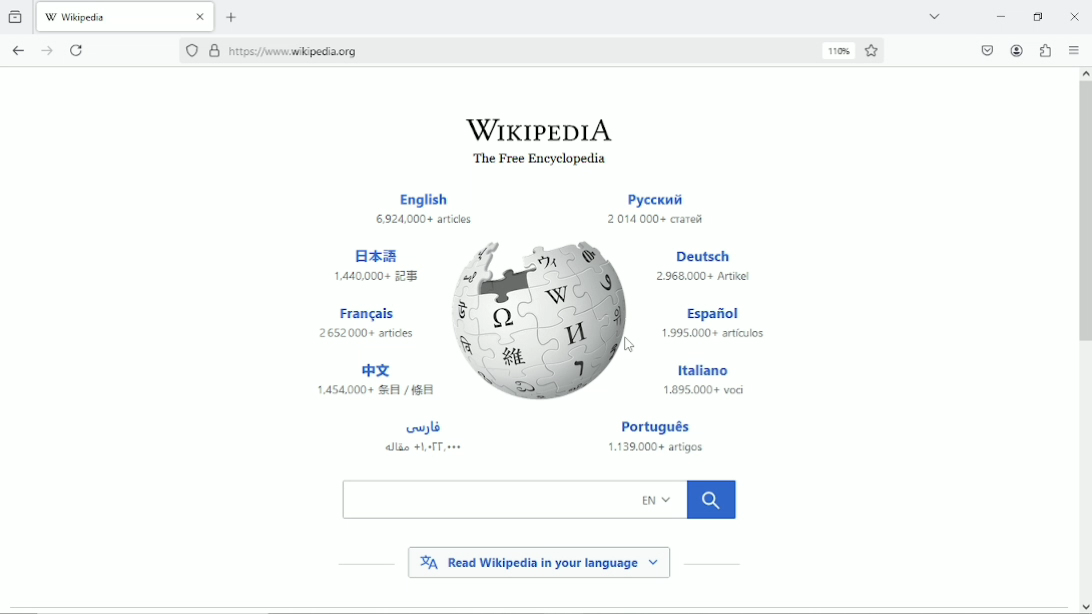 The height and width of the screenshot is (614, 1092). What do you see at coordinates (79, 49) in the screenshot?
I see `reload current page` at bounding box center [79, 49].